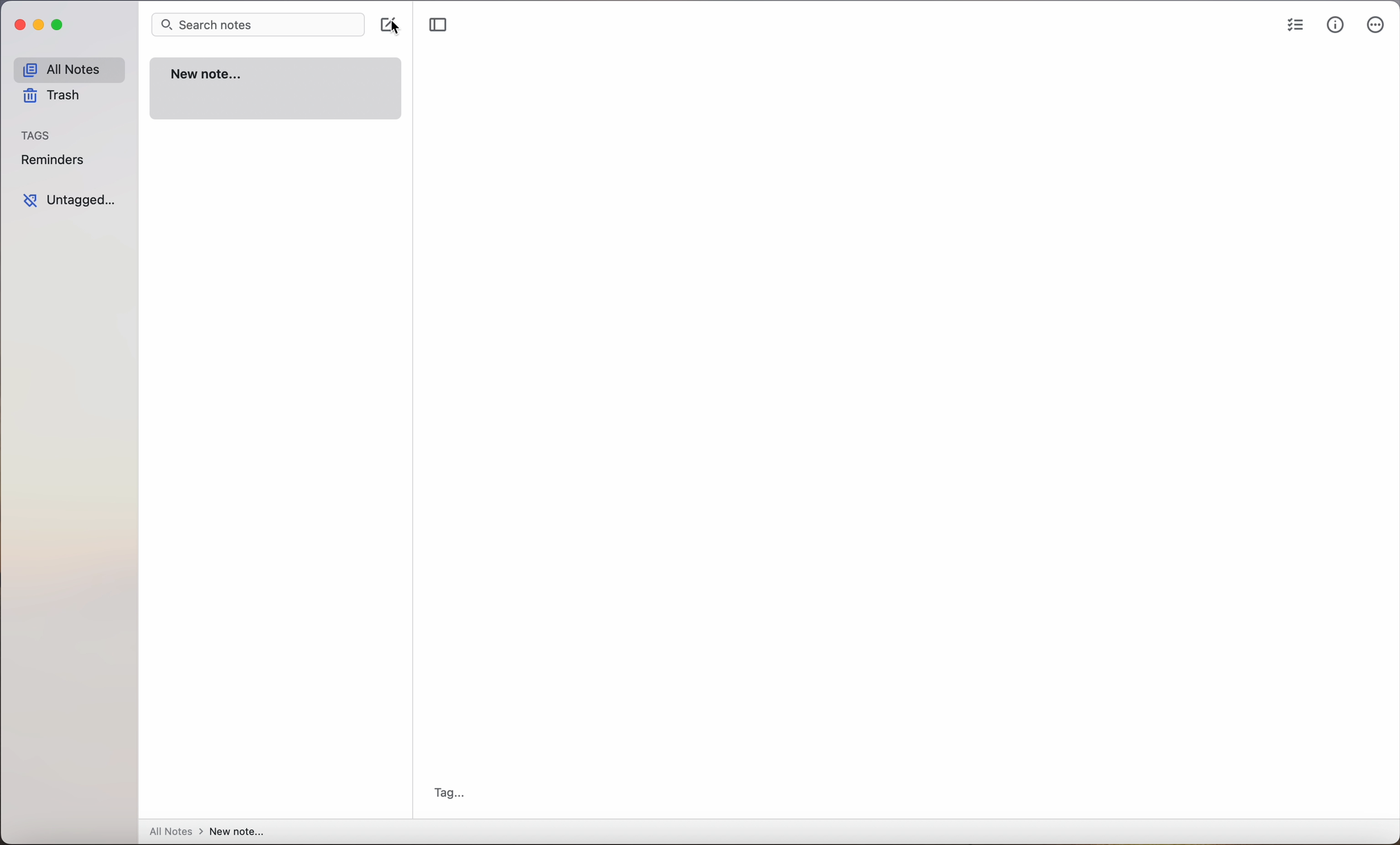  I want to click on search bar, so click(256, 26).